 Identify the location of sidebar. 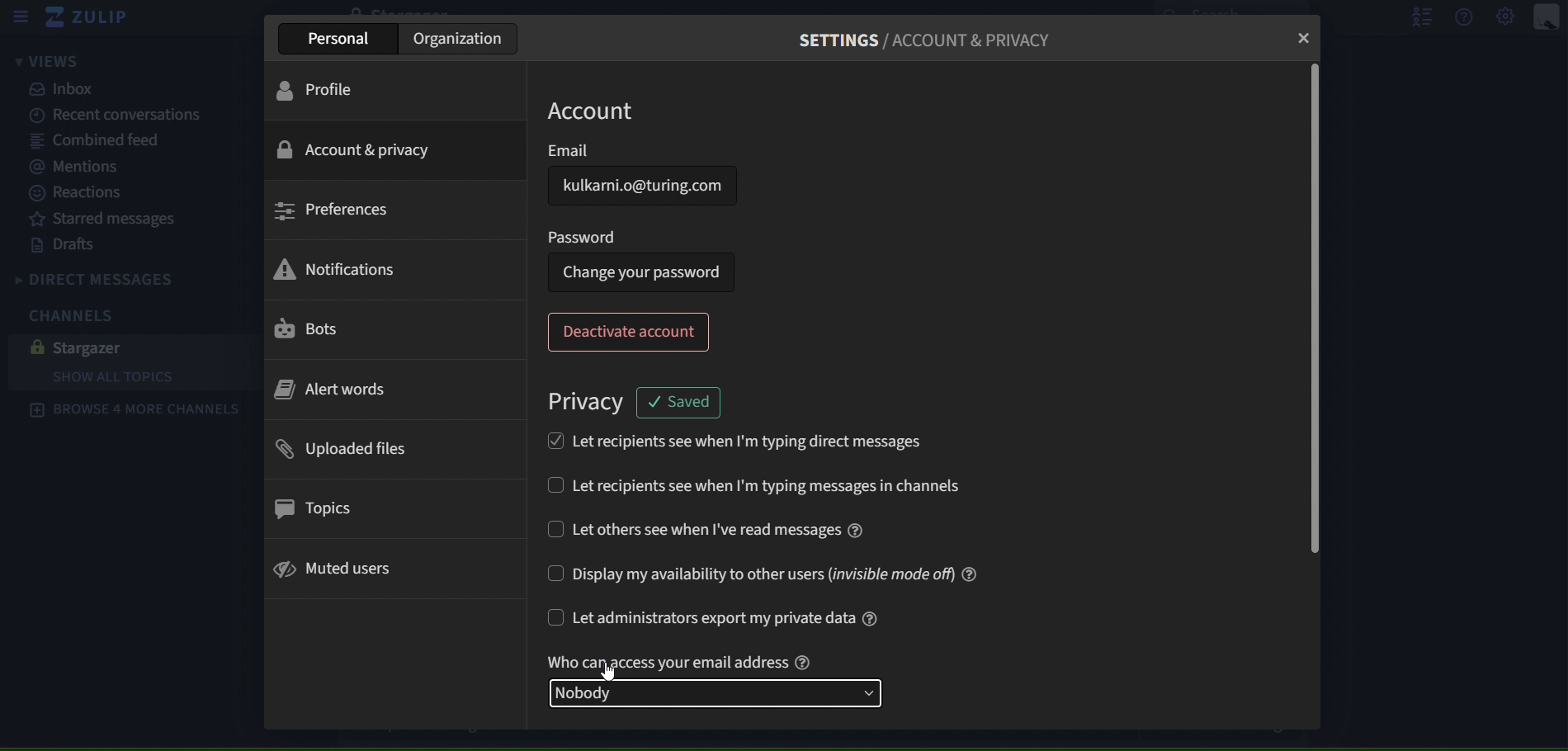
(20, 17).